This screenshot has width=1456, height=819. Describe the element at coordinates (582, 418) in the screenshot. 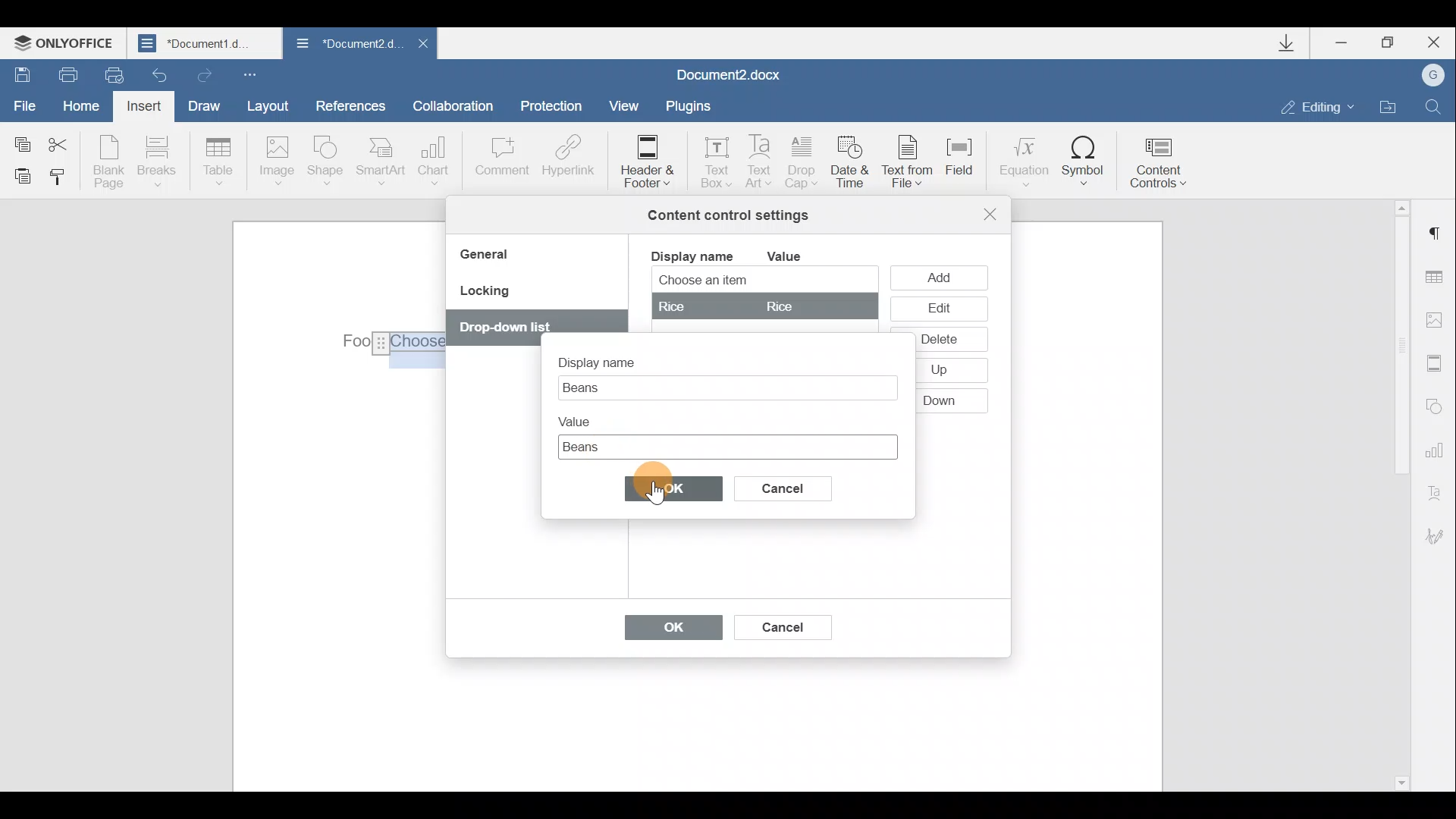

I see `Value` at that location.